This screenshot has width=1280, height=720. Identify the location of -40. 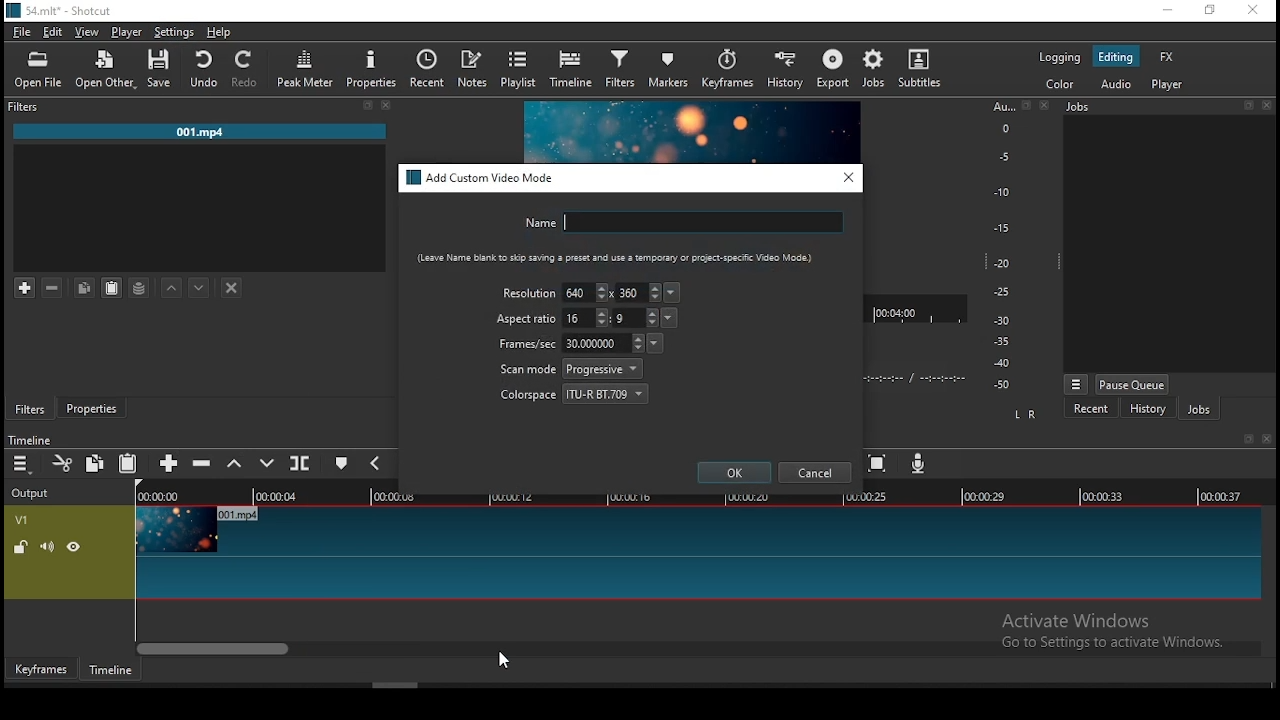
(1002, 363).